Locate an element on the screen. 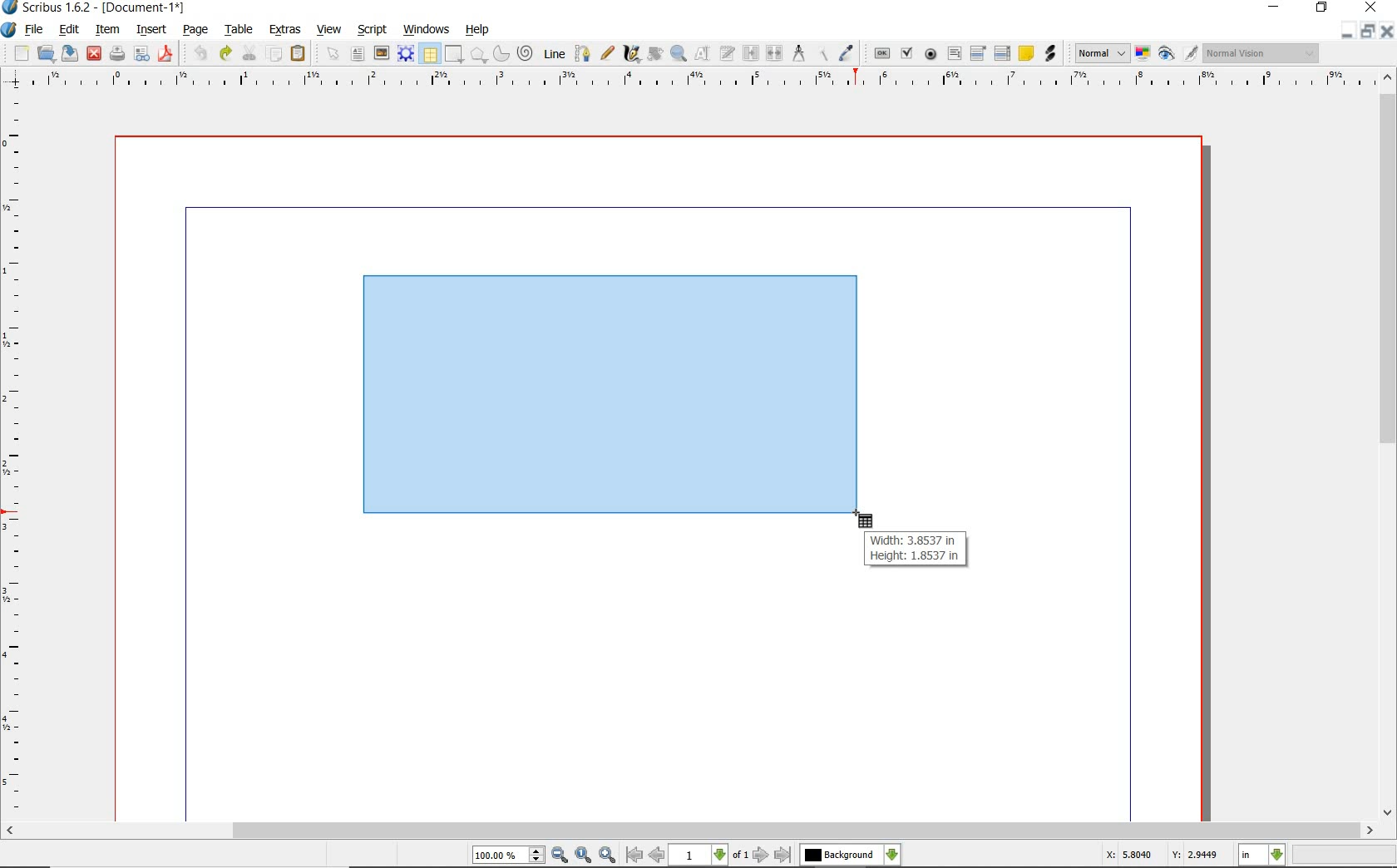 This screenshot has height=868, width=1397. text annotation is located at coordinates (1027, 54).